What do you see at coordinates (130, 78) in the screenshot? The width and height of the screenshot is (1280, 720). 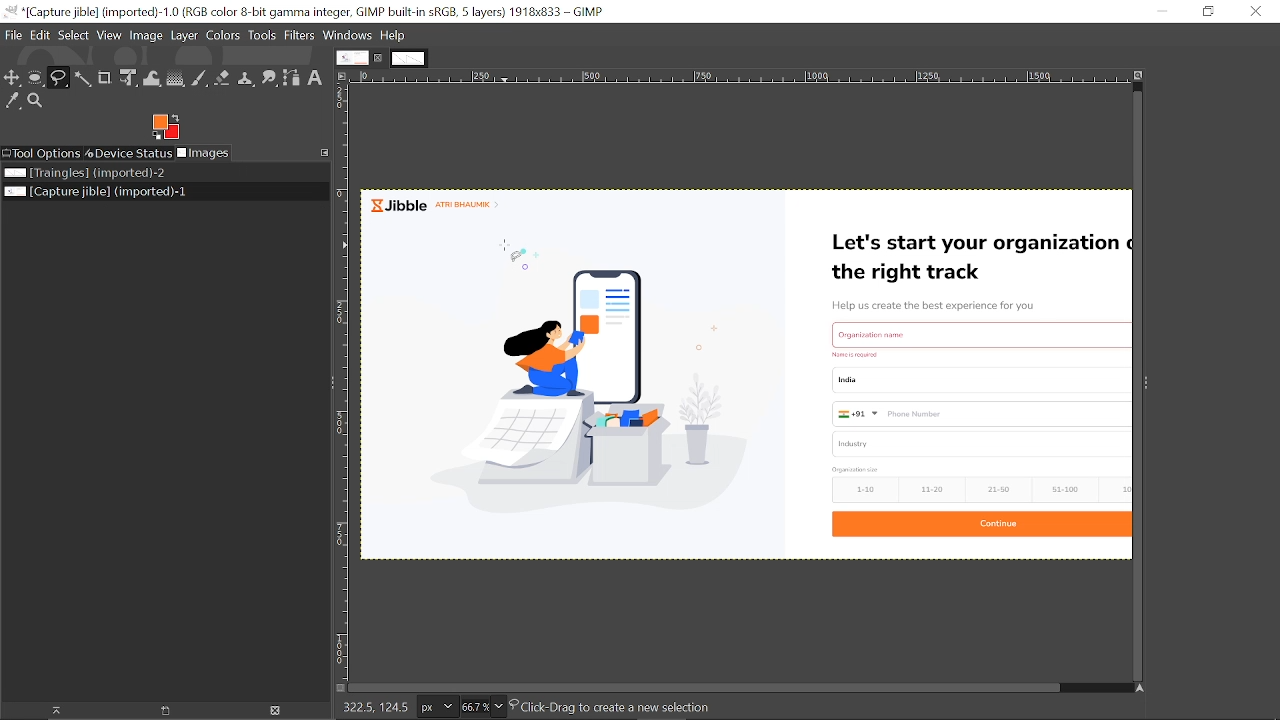 I see `Unified transform tool` at bounding box center [130, 78].